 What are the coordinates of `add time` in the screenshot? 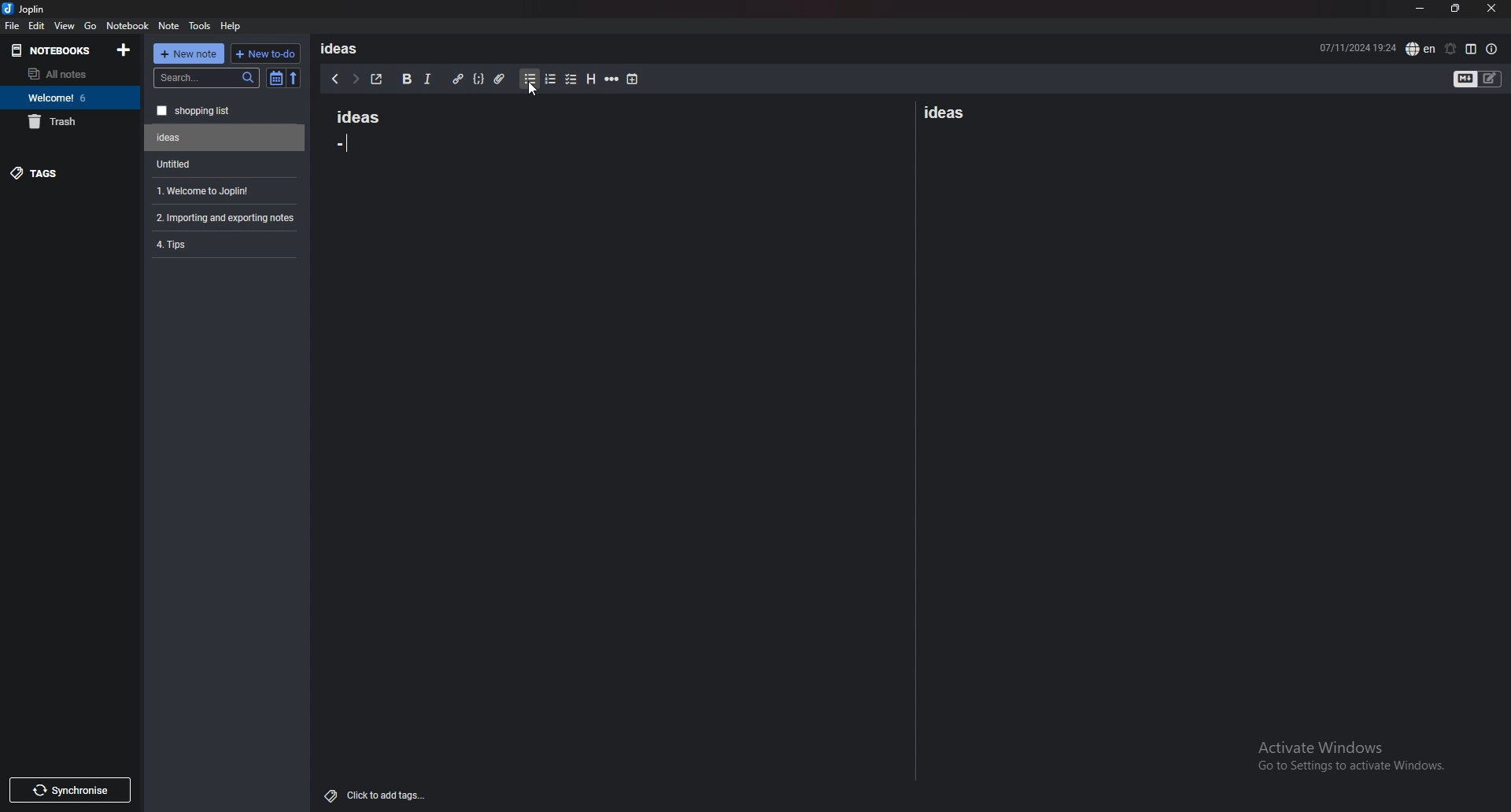 It's located at (634, 79).